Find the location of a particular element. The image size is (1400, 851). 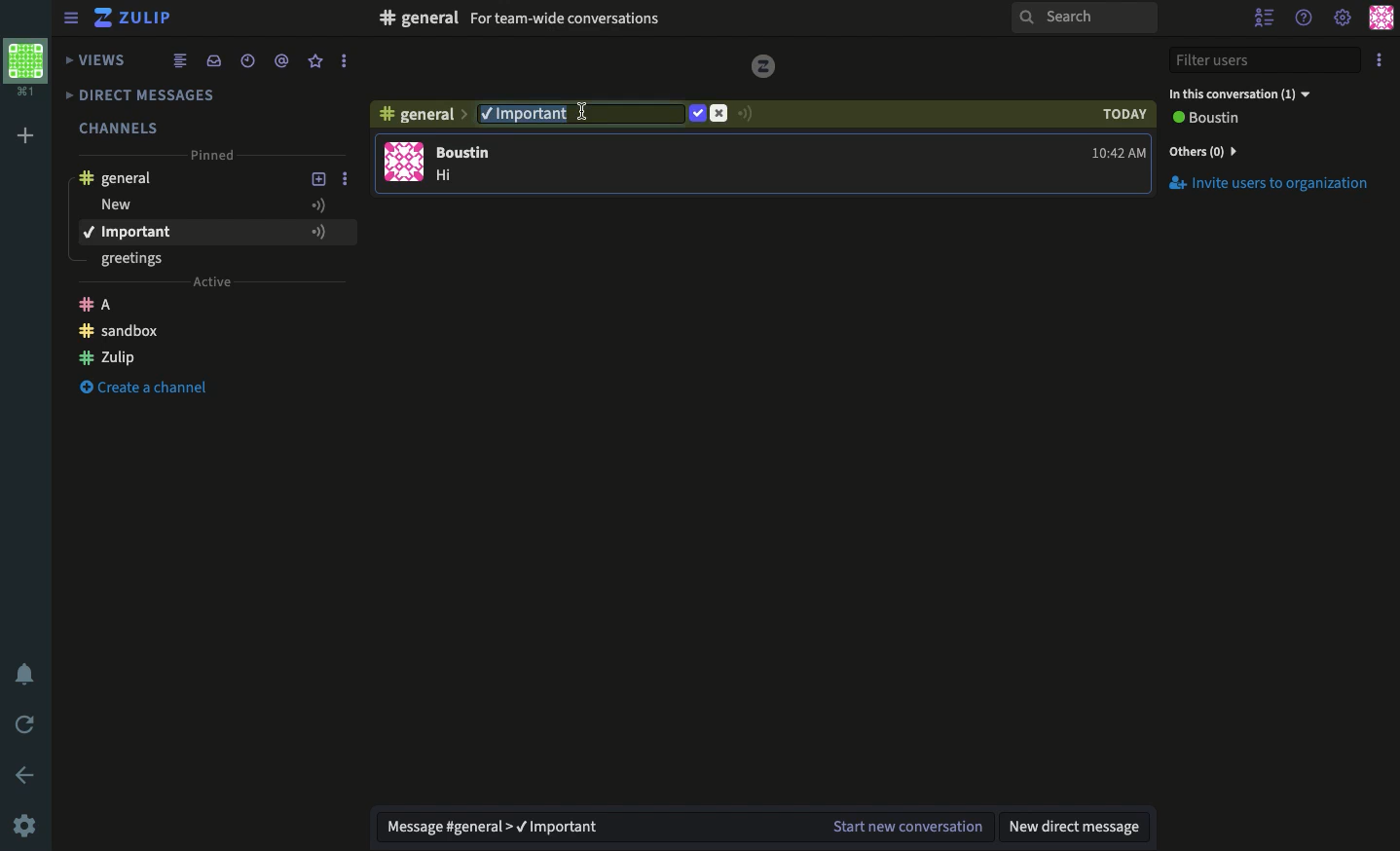

Filter users is located at coordinates (1266, 58).